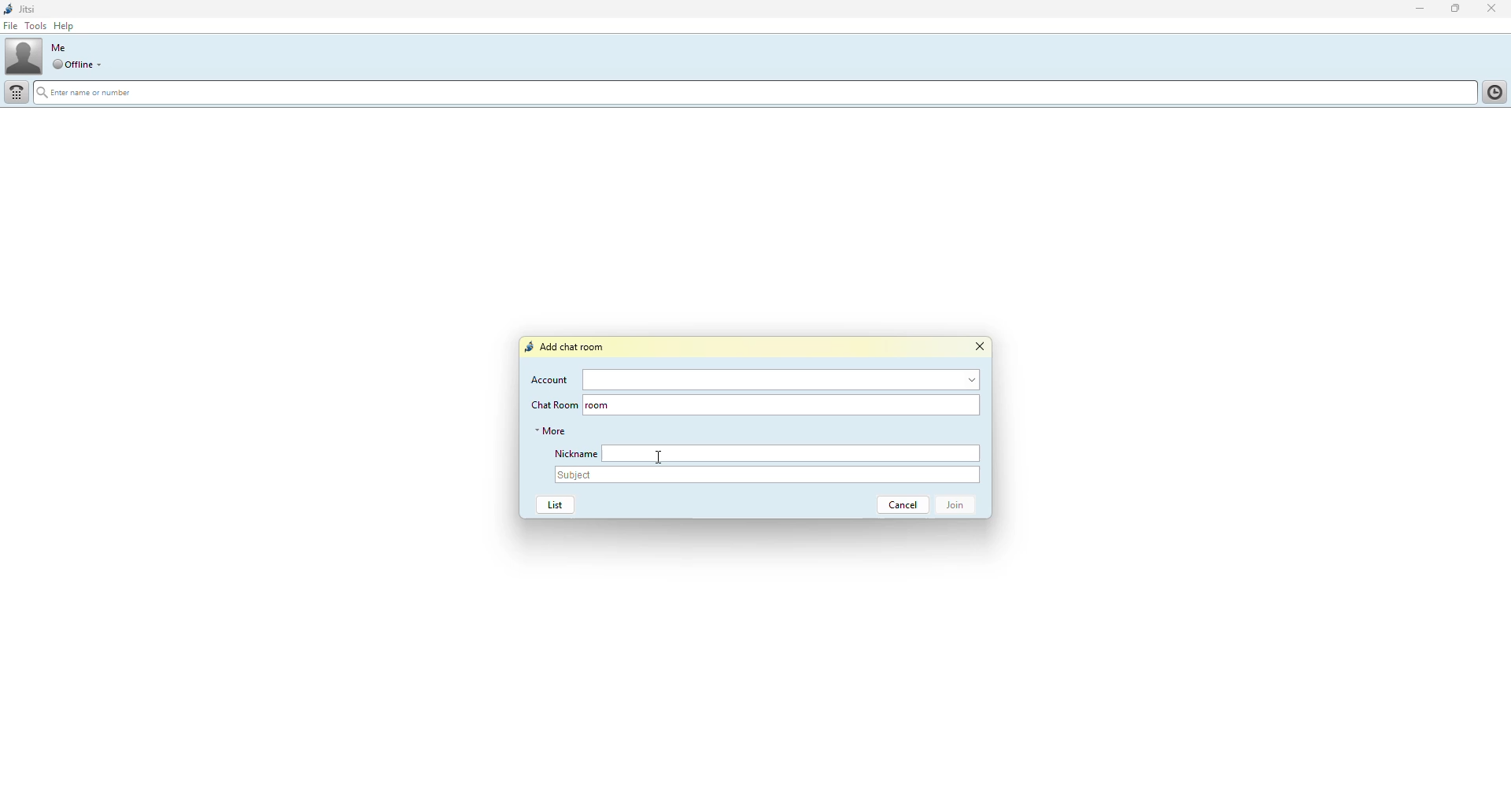  I want to click on cursor, so click(659, 456).